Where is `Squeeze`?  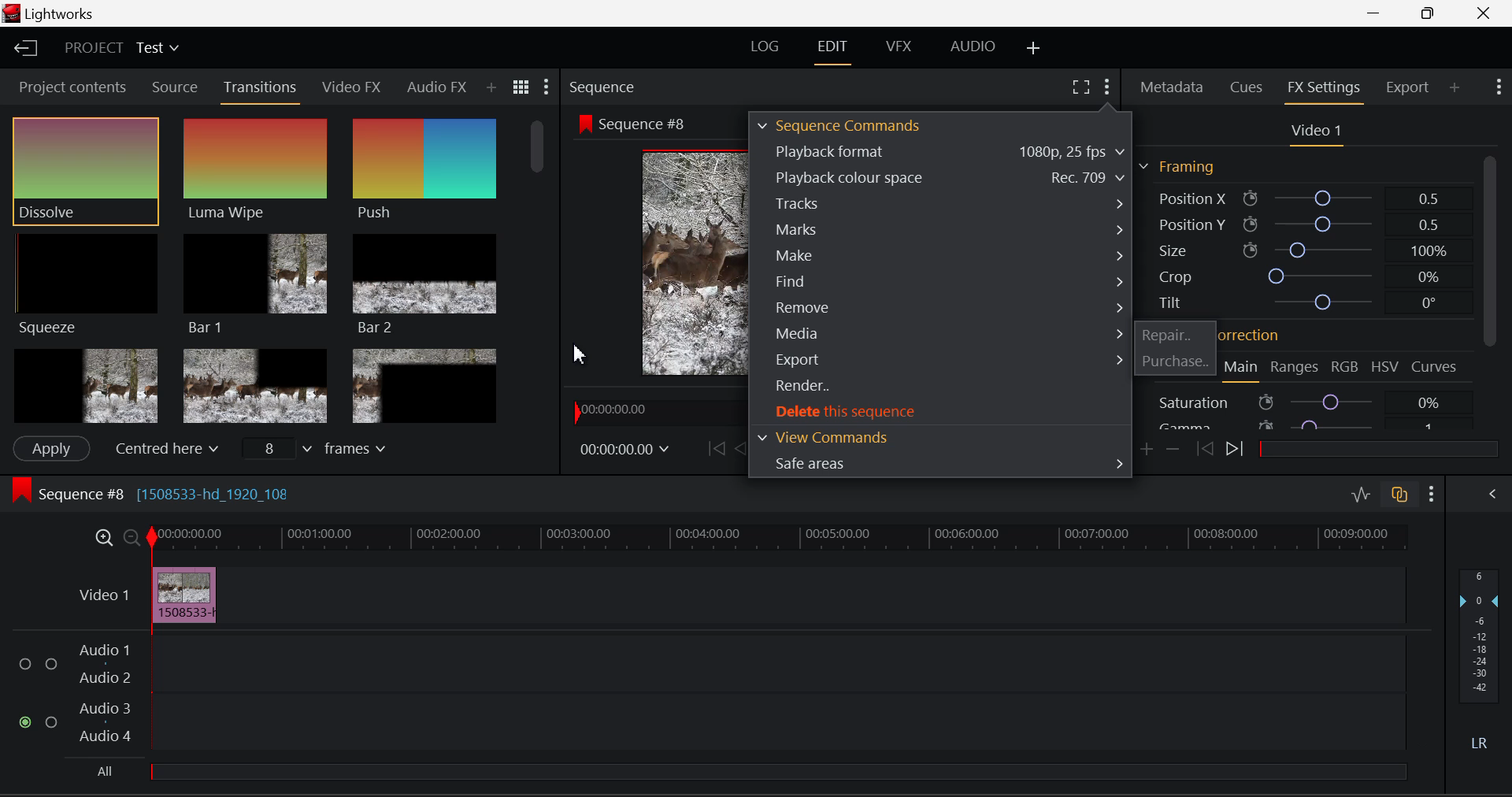
Squeeze is located at coordinates (86, 284).